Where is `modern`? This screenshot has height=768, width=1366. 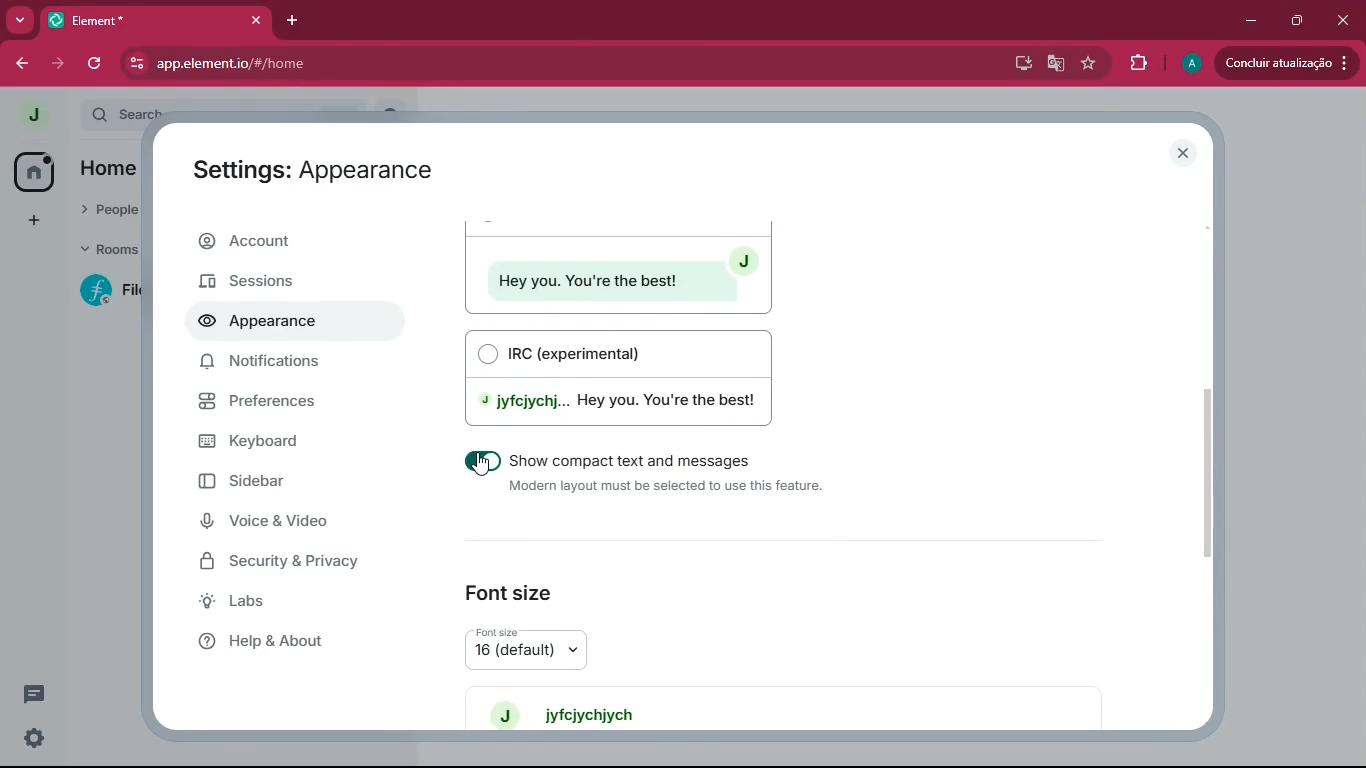 modern is located at coordinates (617, 266).